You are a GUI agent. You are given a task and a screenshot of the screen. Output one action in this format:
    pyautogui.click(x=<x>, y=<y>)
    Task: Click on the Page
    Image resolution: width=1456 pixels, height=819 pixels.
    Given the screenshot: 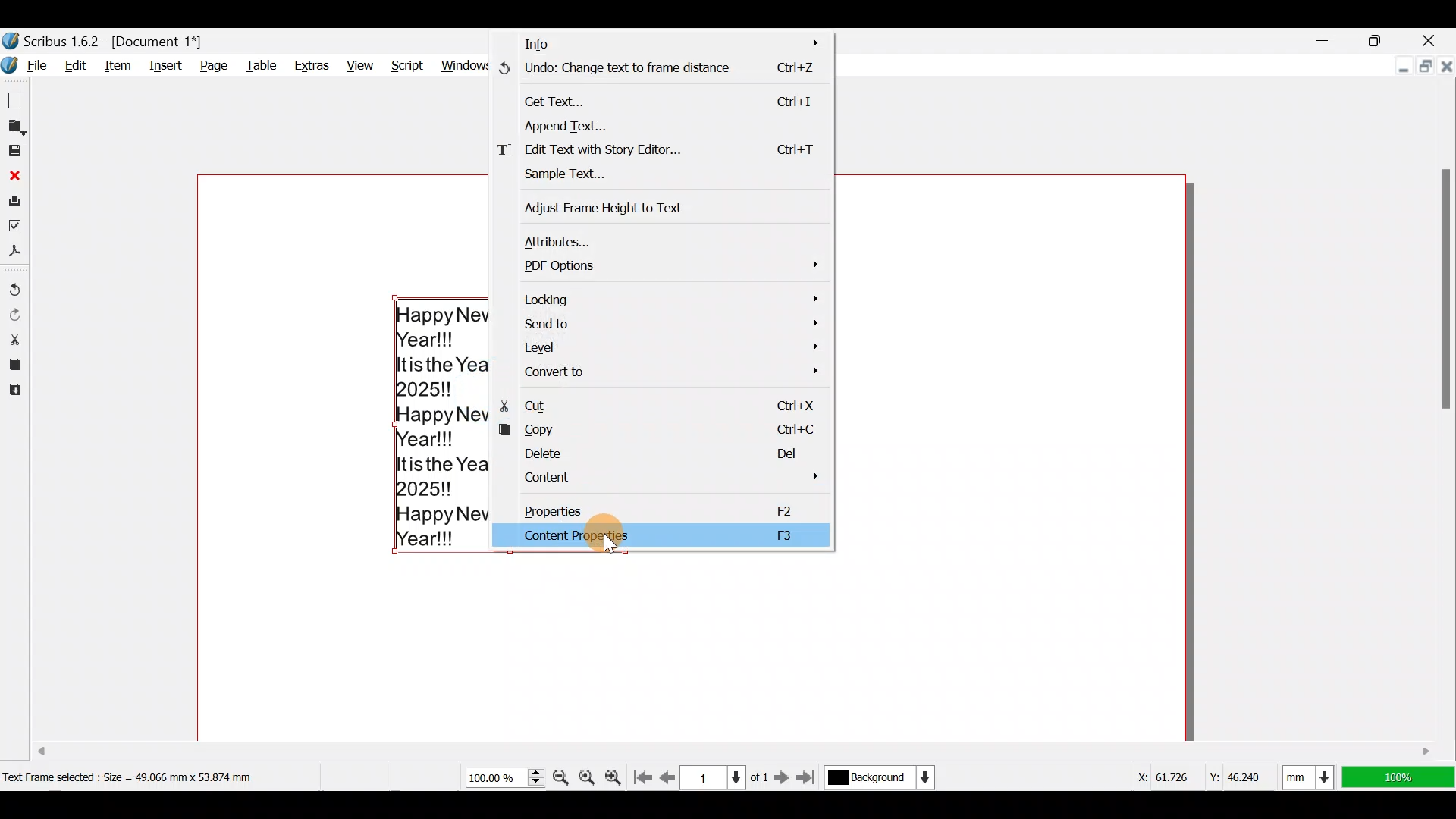 What is the action you would take?
    pyautogui.click(x=215, y=65)
    